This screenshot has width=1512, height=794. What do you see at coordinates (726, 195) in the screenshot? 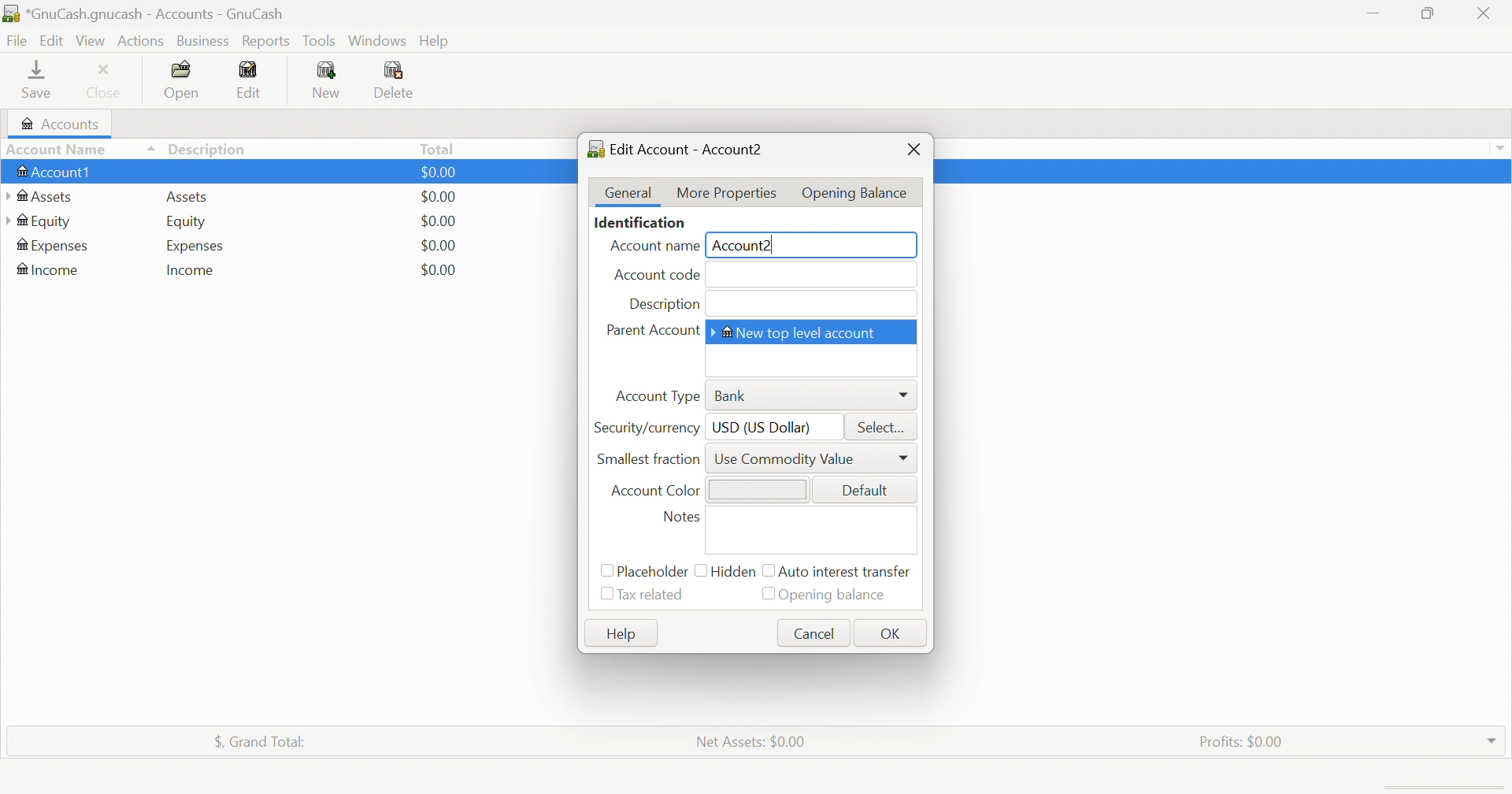
I see `More Properties` at bounding box center [726, 195].